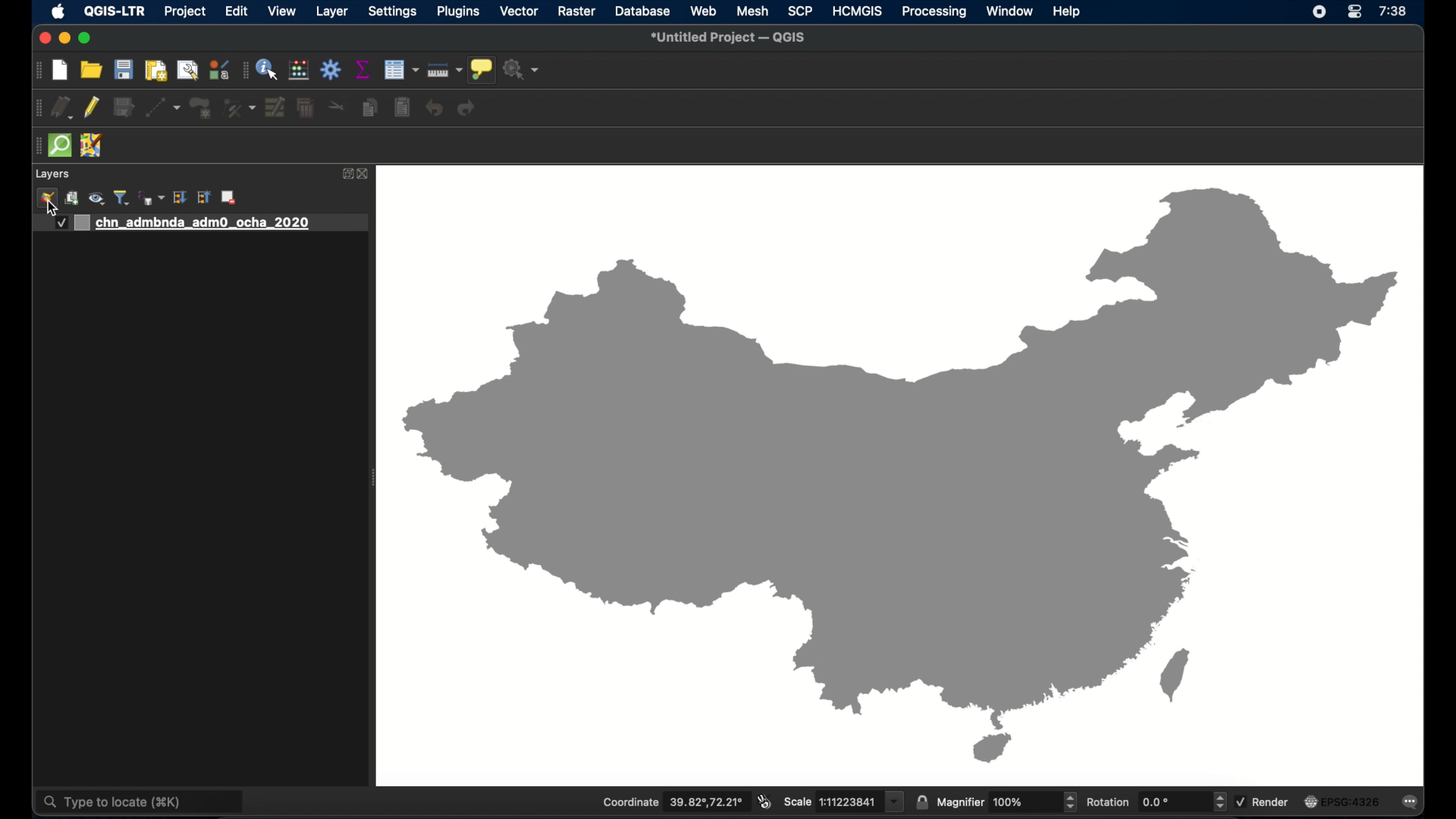 This screenshot has height=819, width=1456. What do you see at coordinates (765, 801) in the screenshot?
I see `toggle mouse extents and display position` at bounding box center [765, 801].